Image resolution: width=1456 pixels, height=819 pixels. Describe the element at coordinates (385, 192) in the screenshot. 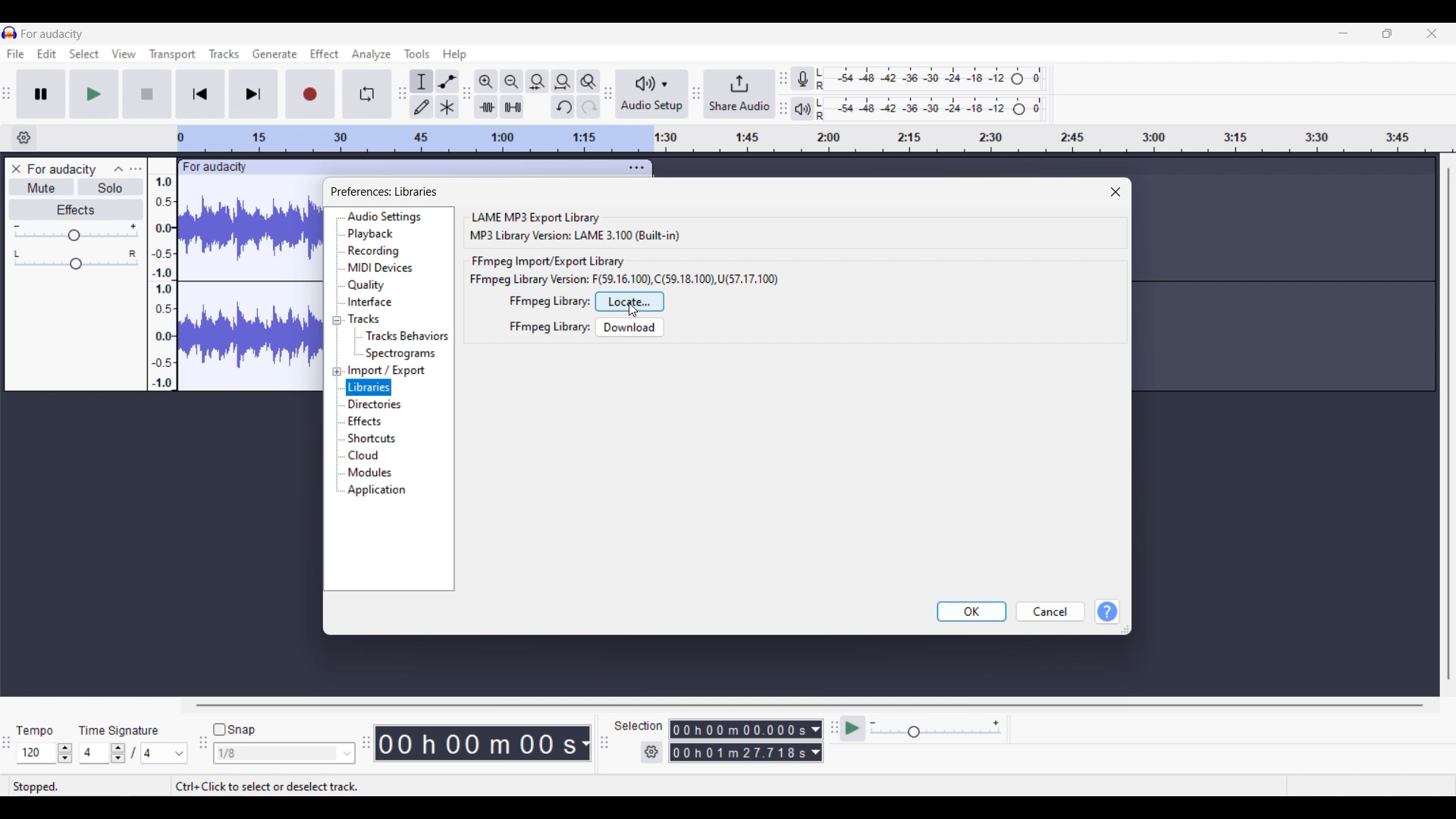

I see `preferences: libraries` at that location.